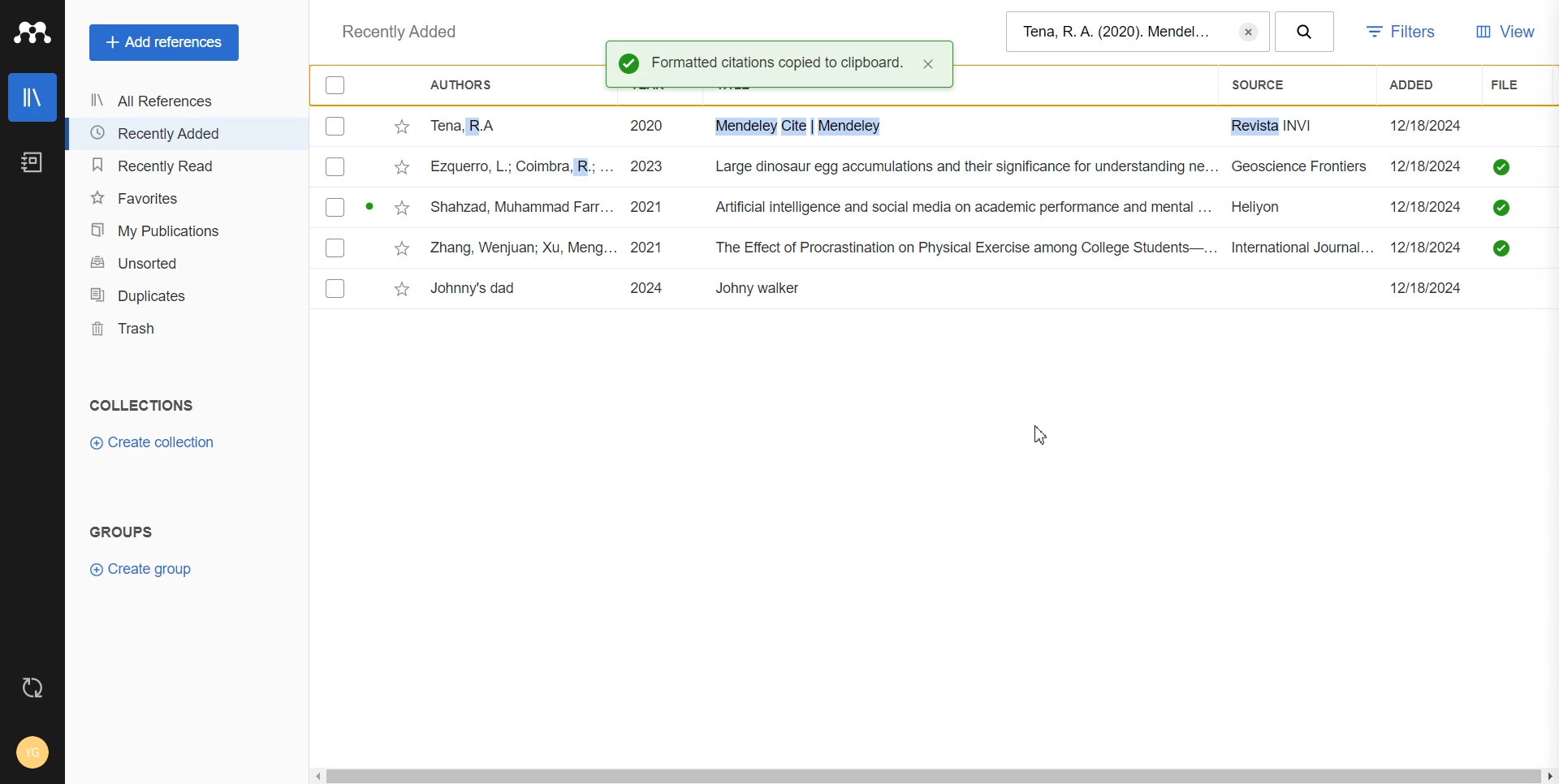  I want to click on Source, so click(1268, 86).